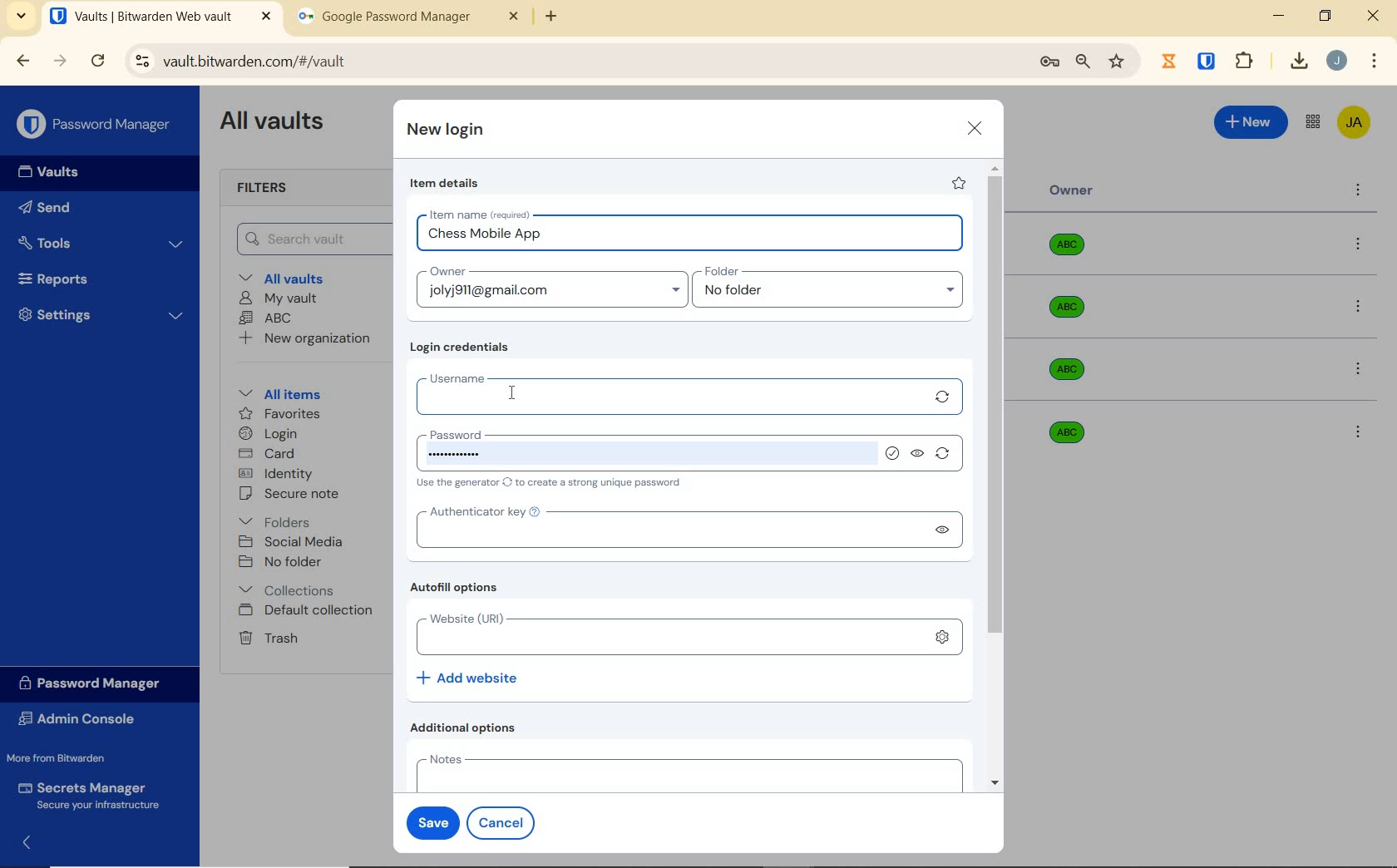 The width and height of the screenshot is (1397, 868). What do you see at coordinates (278, 519) in the screenshot?
I see `Folders` at bounding box center [278, 519].